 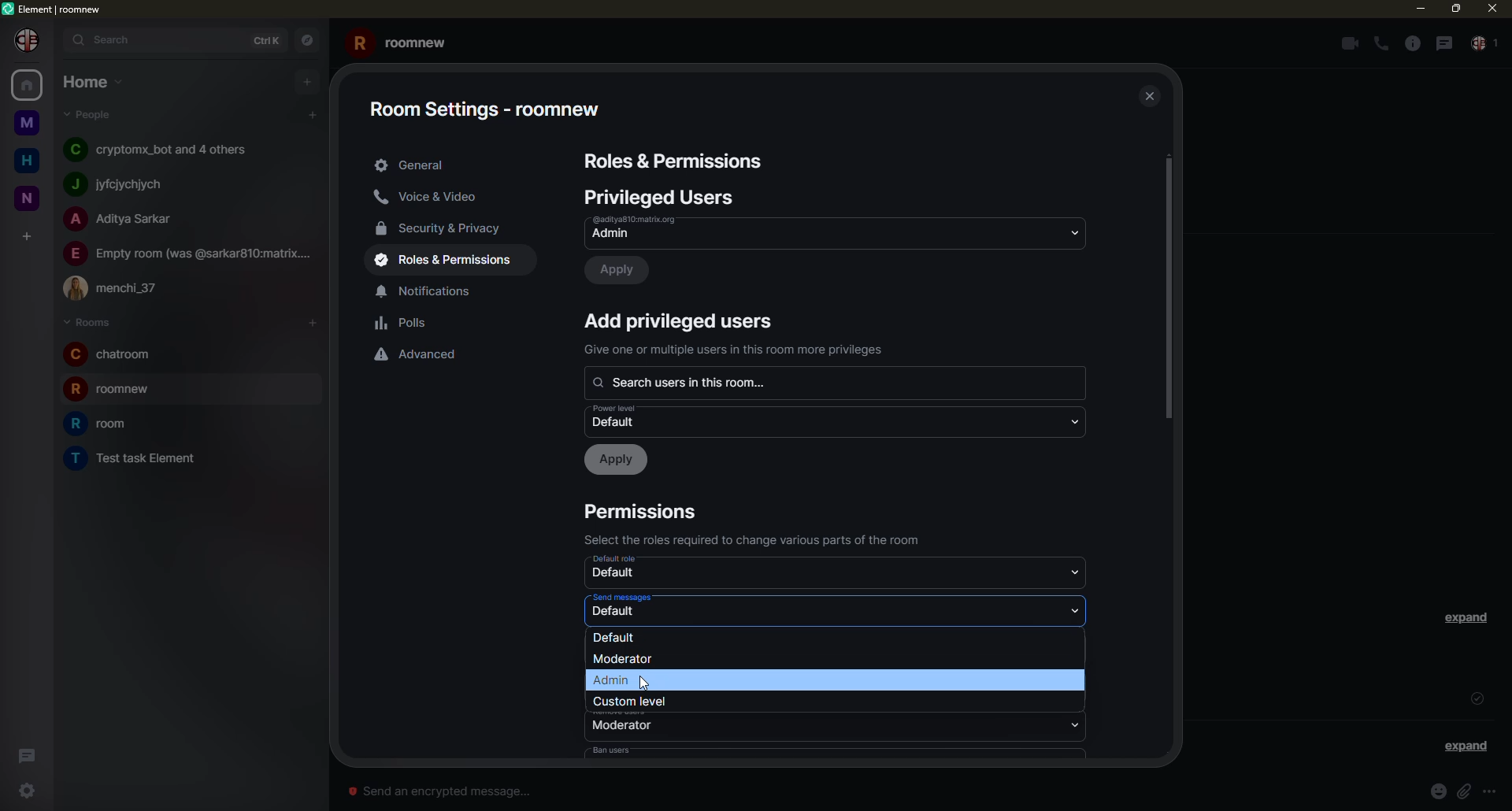 I want to click on roles, so click(x=676, y=162).